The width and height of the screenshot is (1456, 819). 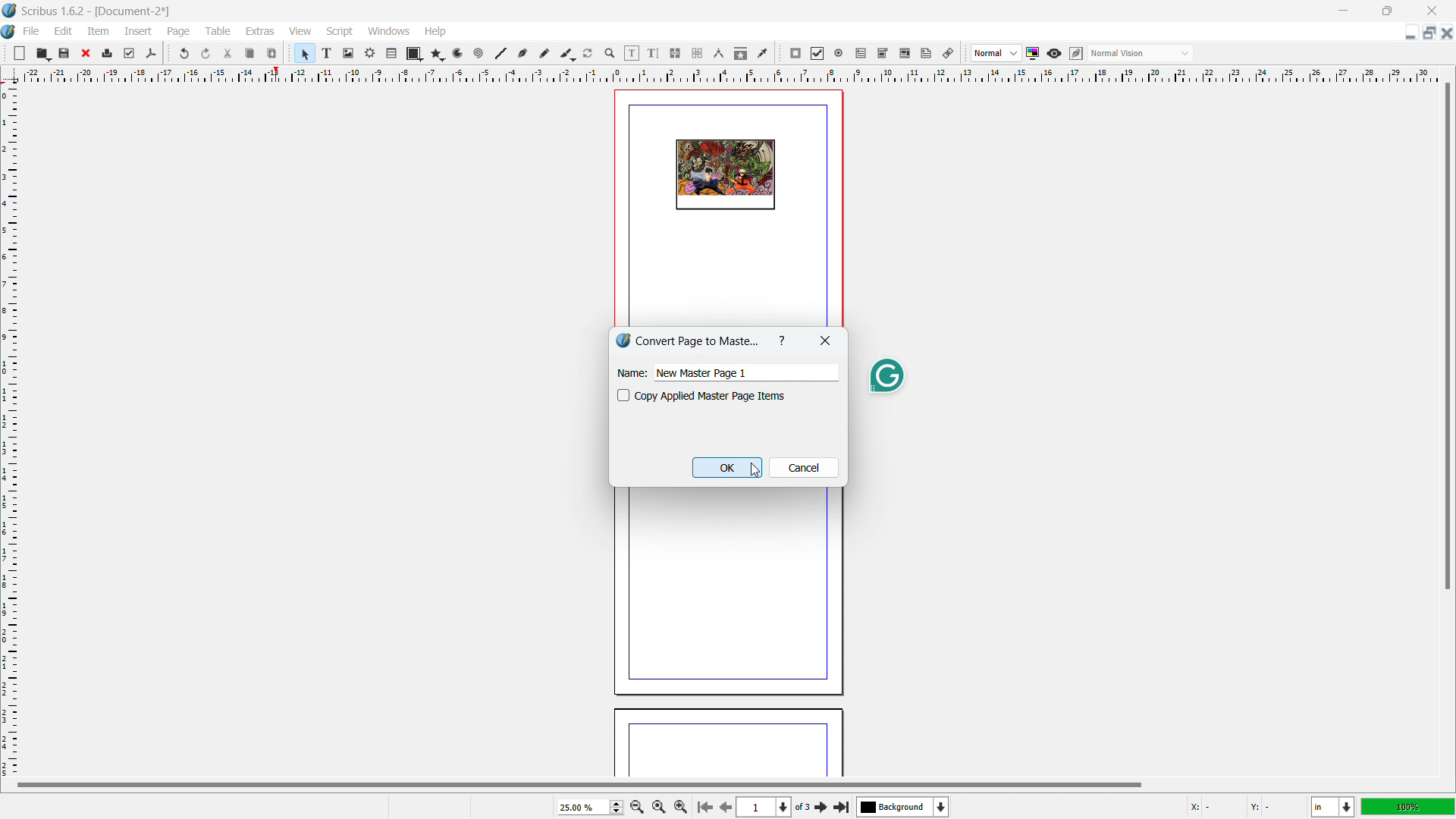 What do you see at coordinates (1054, 54) in the screenshot?
I see `preview mode` at bounding box center [1054, 54].